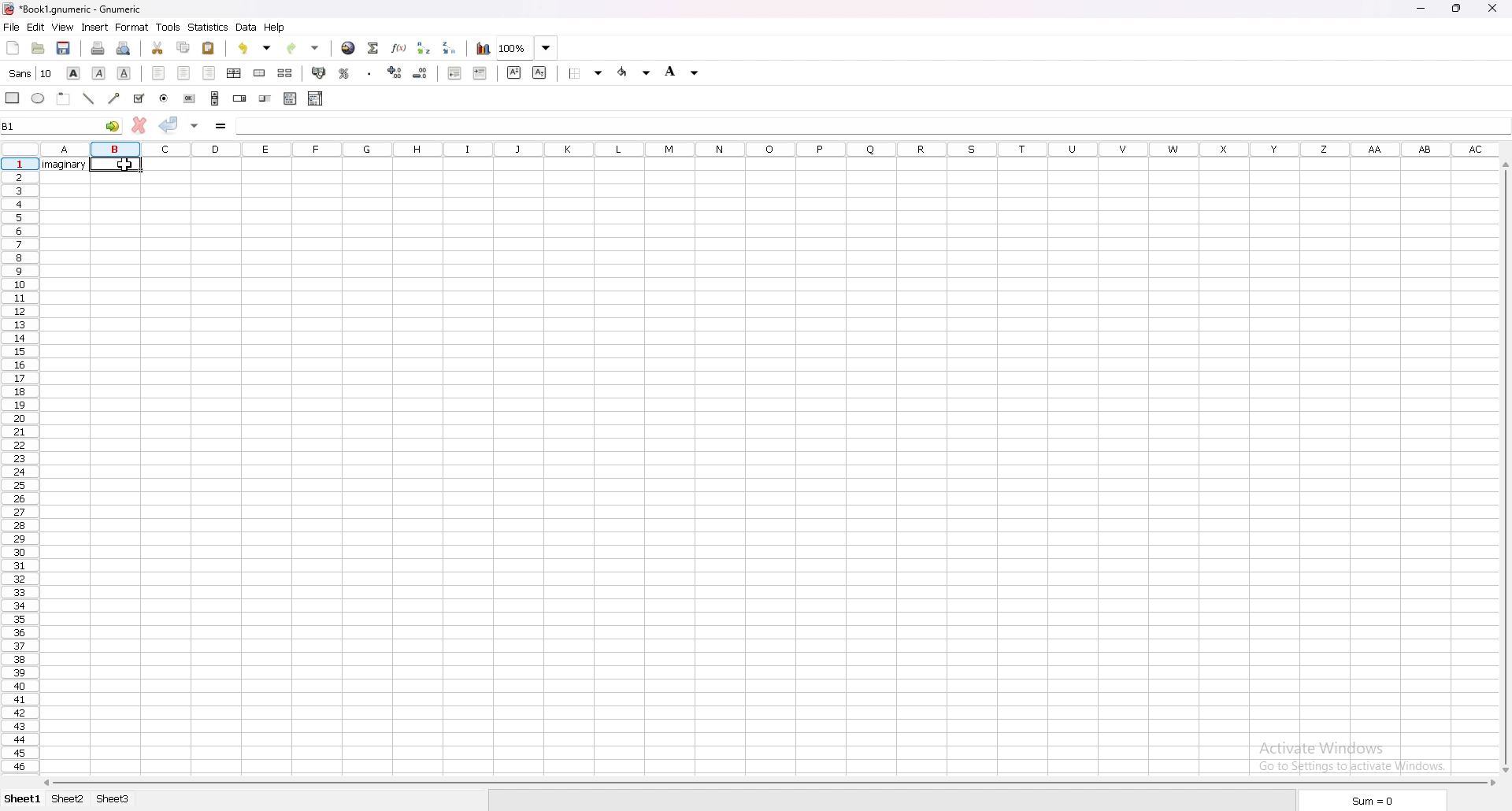 This screenshot has width=1512, height=811. I want to click on underline, so click(124, 73).